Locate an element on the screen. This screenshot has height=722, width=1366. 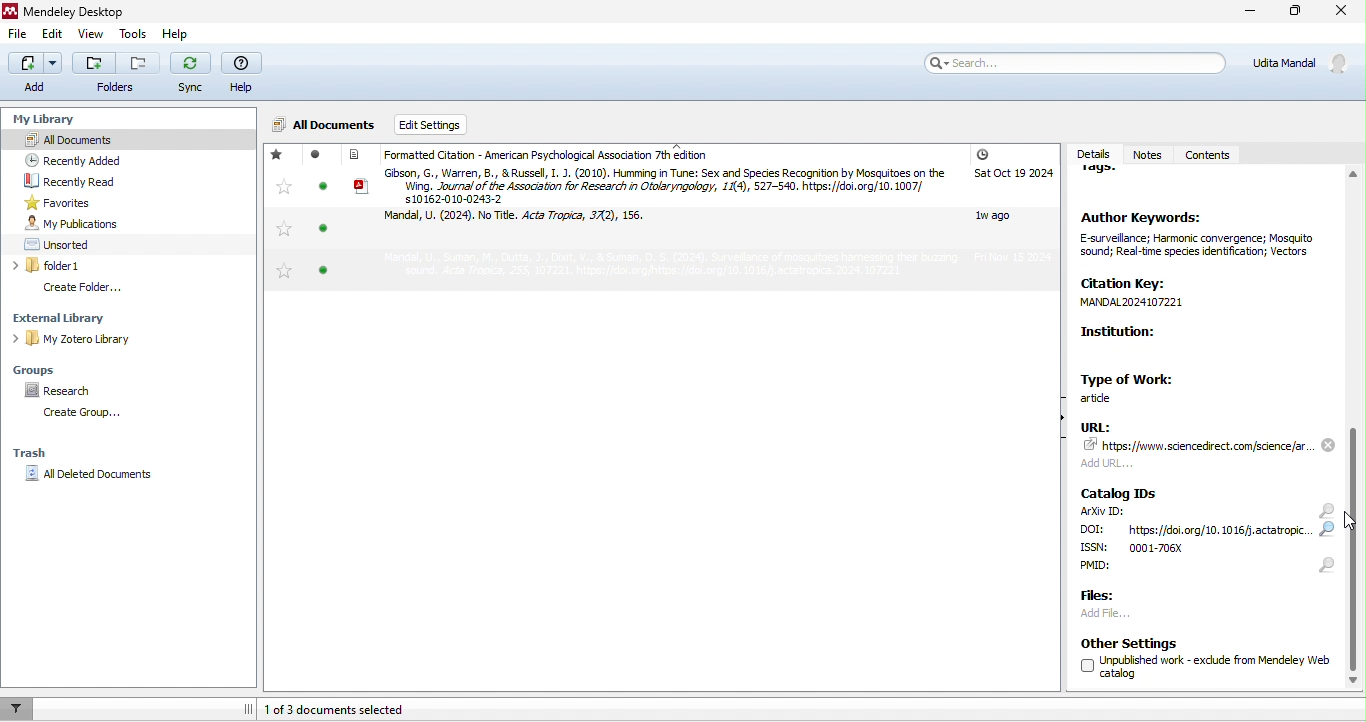
show/hide is located at coordinates (1056, 429).